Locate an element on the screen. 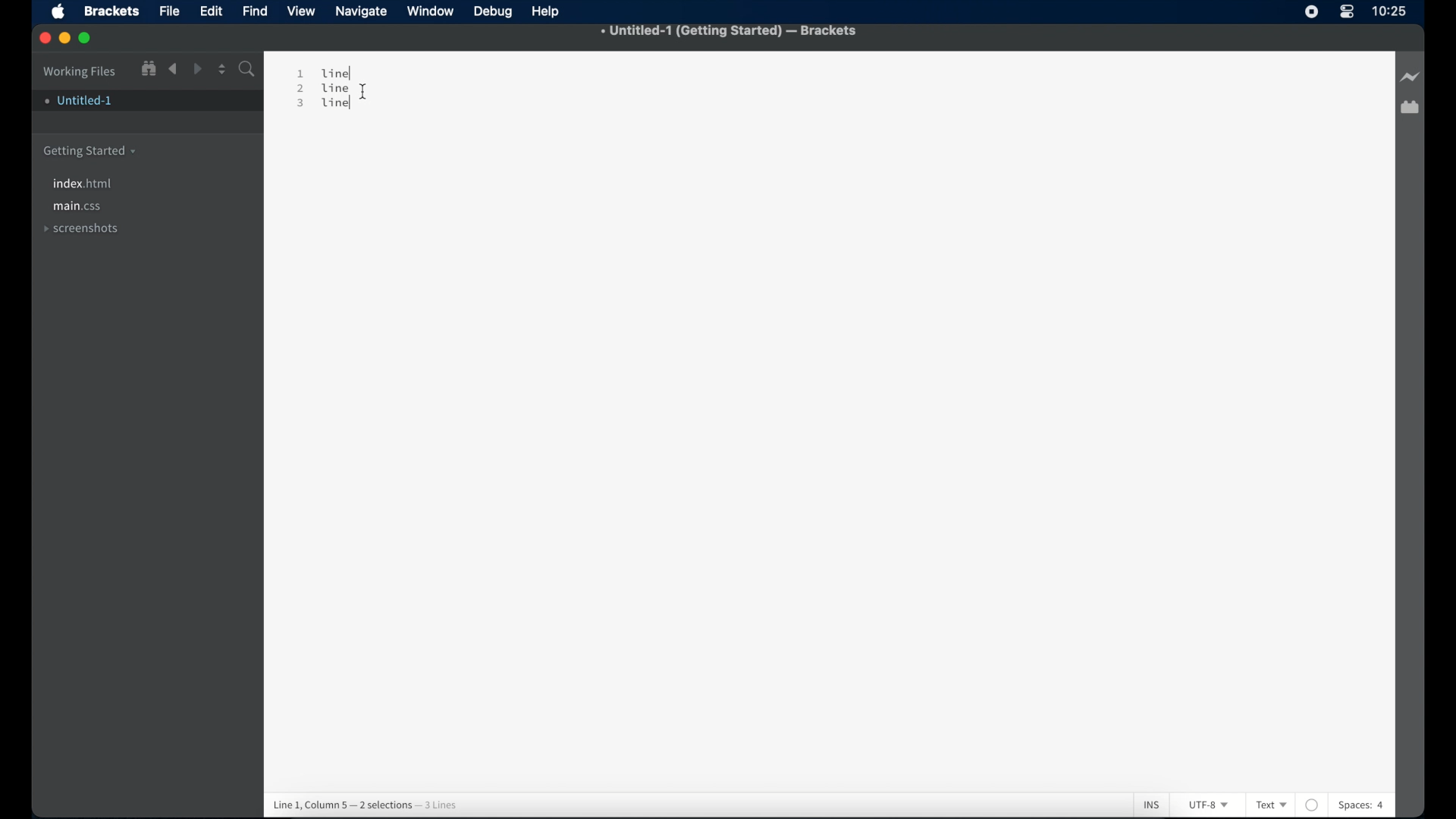  extension manager is located at coordinates (1410, 108).